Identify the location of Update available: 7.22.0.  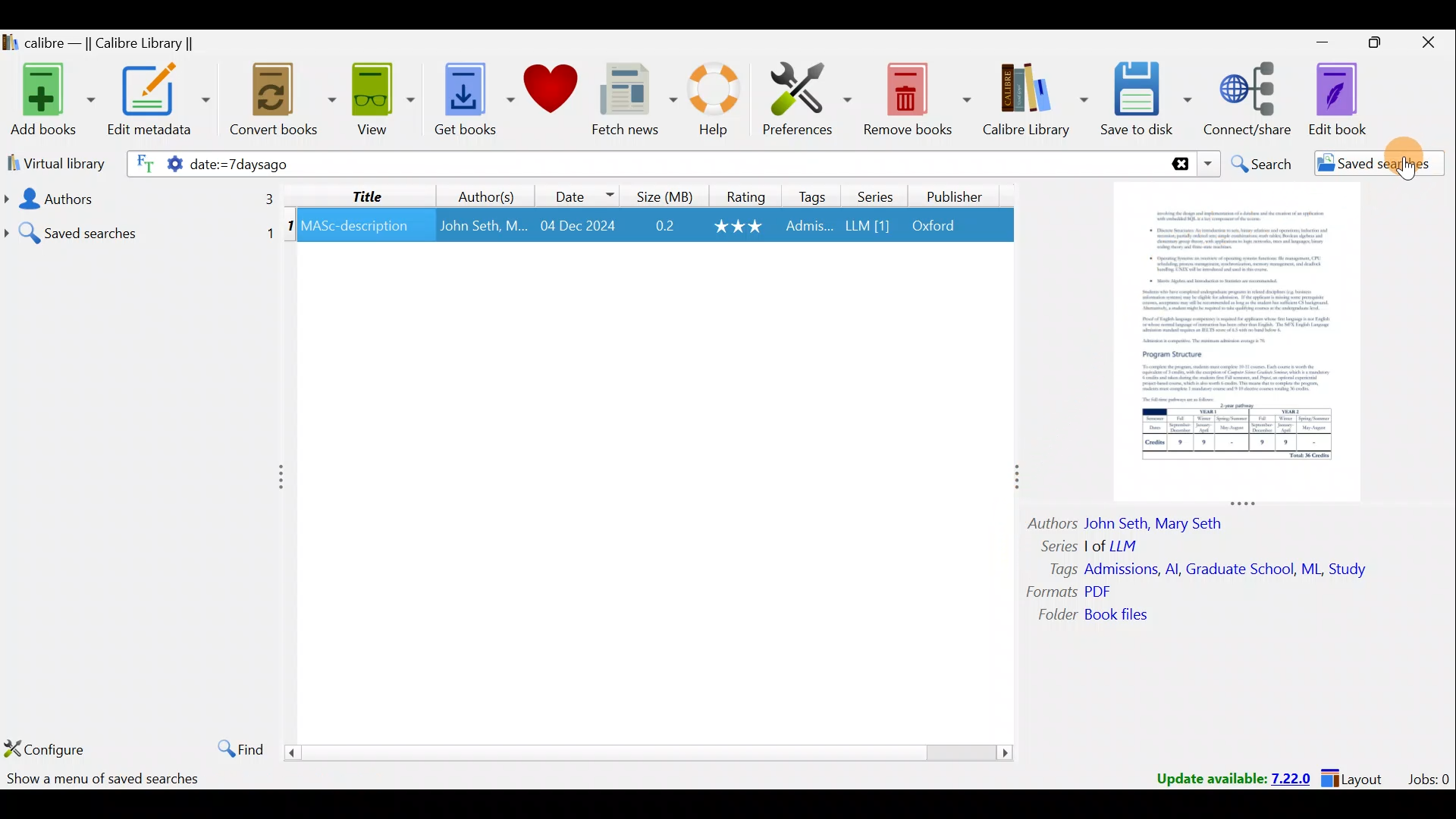
(1225, 777).